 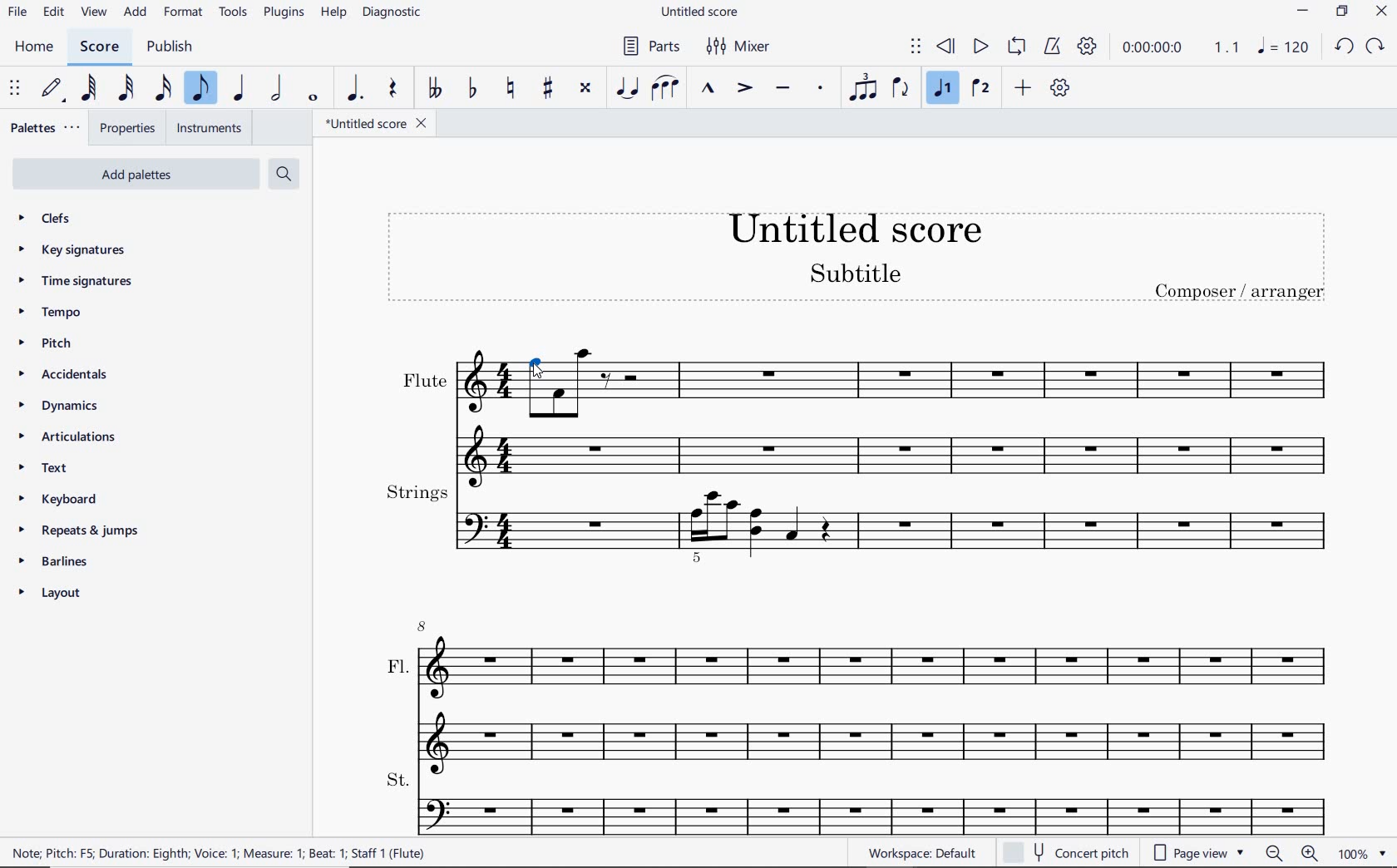 What do you see at coordinates (916, 47) in the screenshot?
I see `SELECT TO MOVE` at bounding box center [916, 47].